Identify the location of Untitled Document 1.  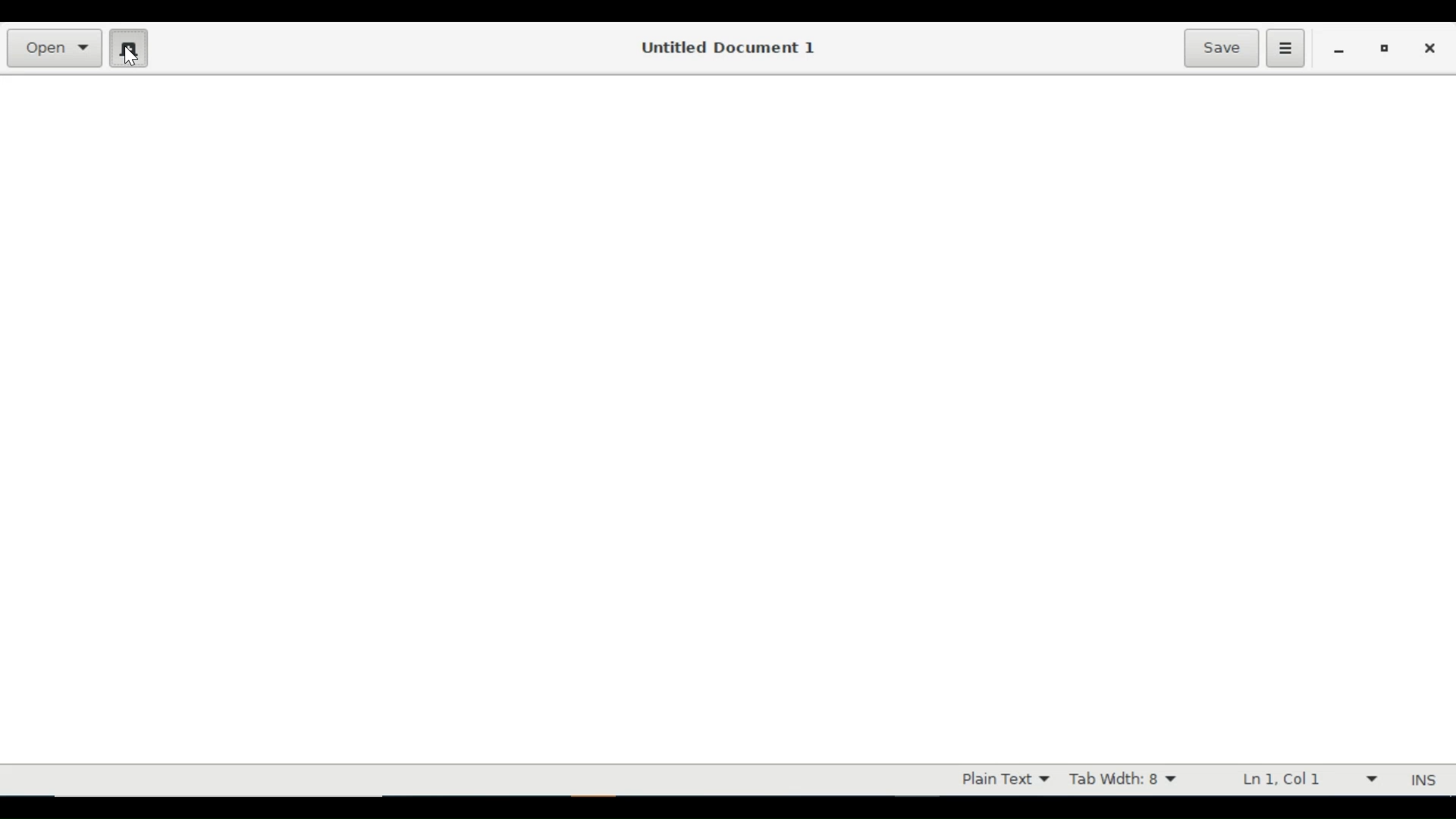
(731, 47).